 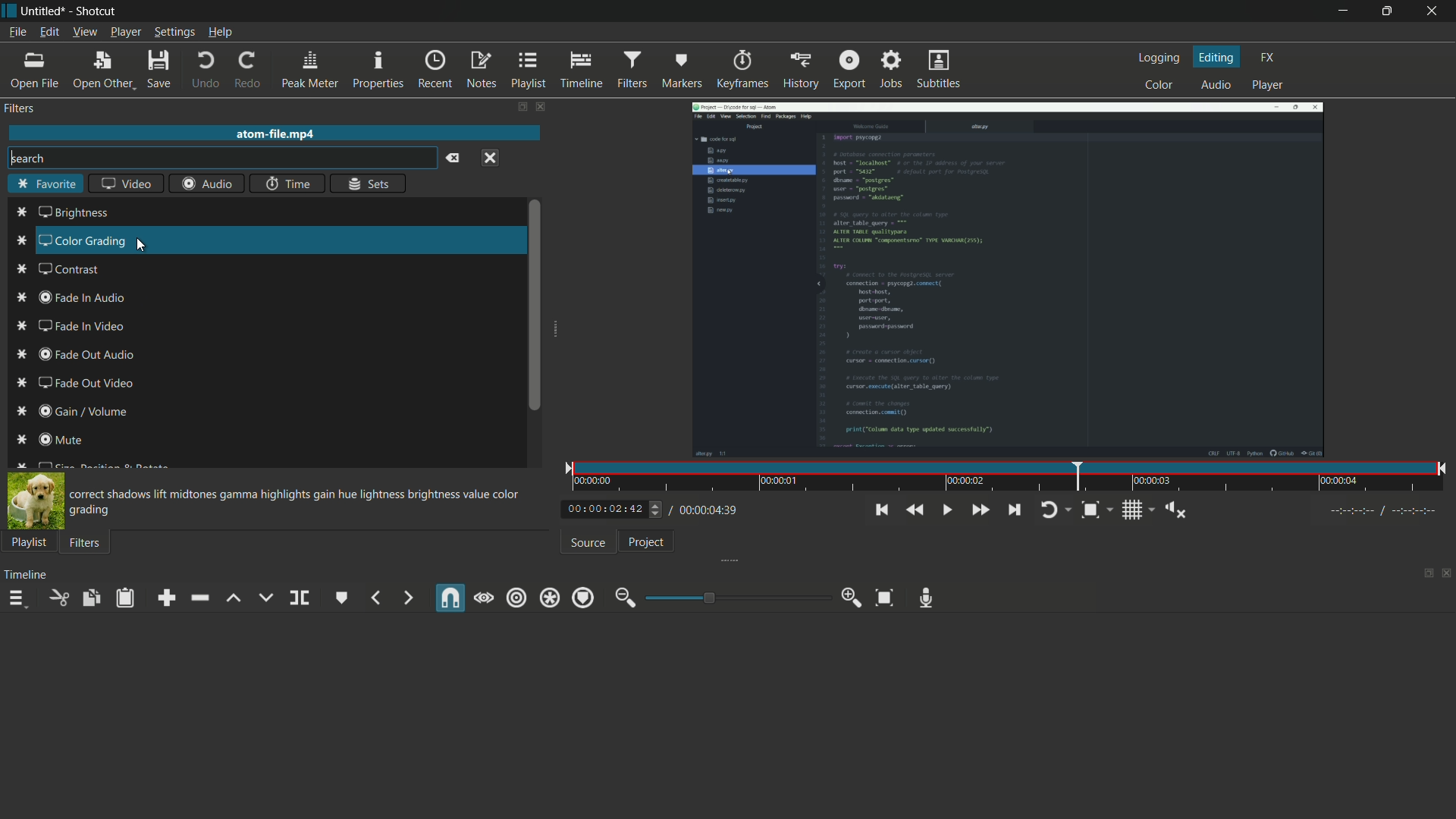 I want to click on project name, so click(x=44, y=11).